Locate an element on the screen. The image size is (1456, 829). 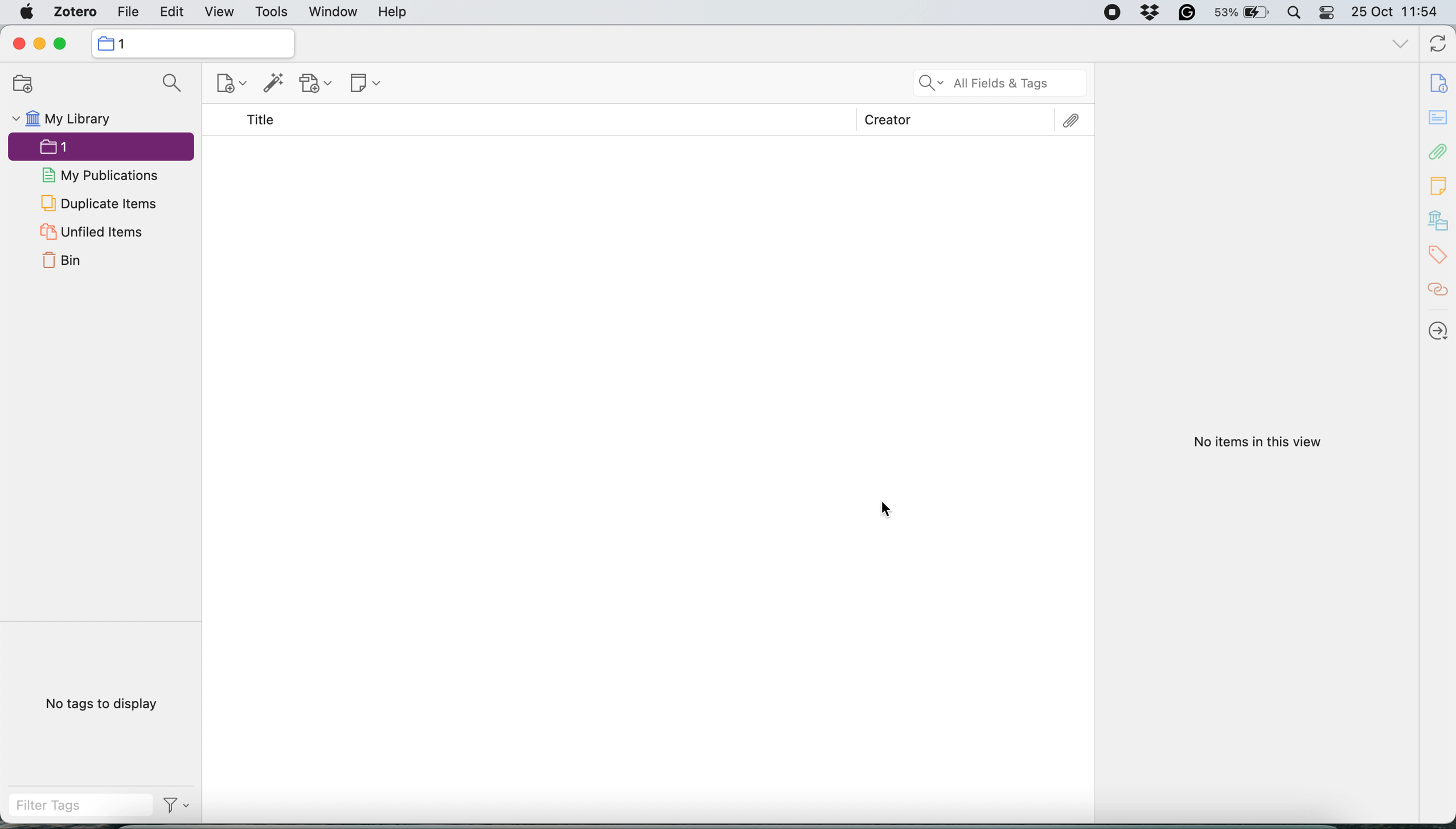
spotlight search is located at coordinates (1297, 11).